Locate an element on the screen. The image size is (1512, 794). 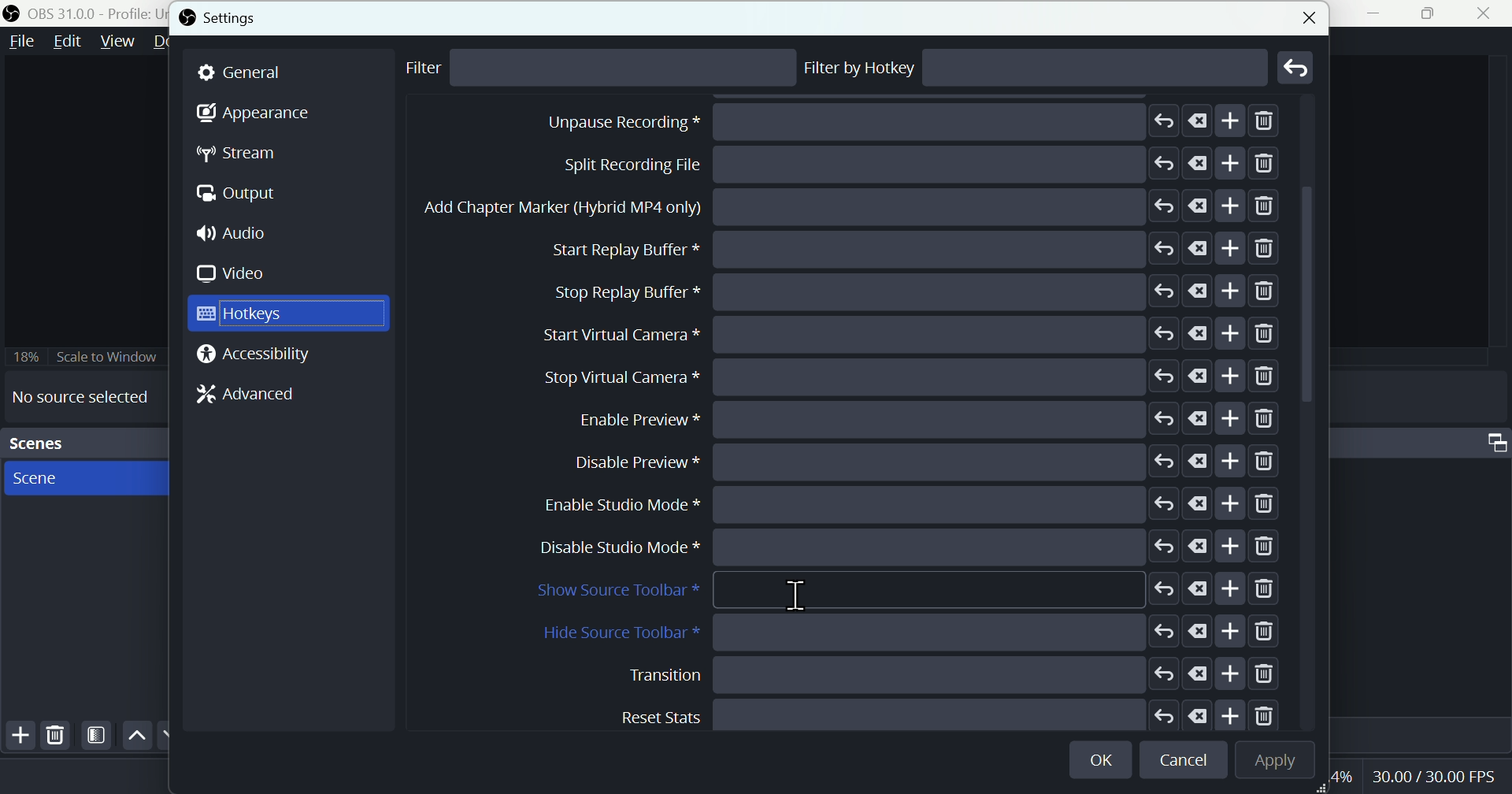
Edit is located at coordinates (67, 44).